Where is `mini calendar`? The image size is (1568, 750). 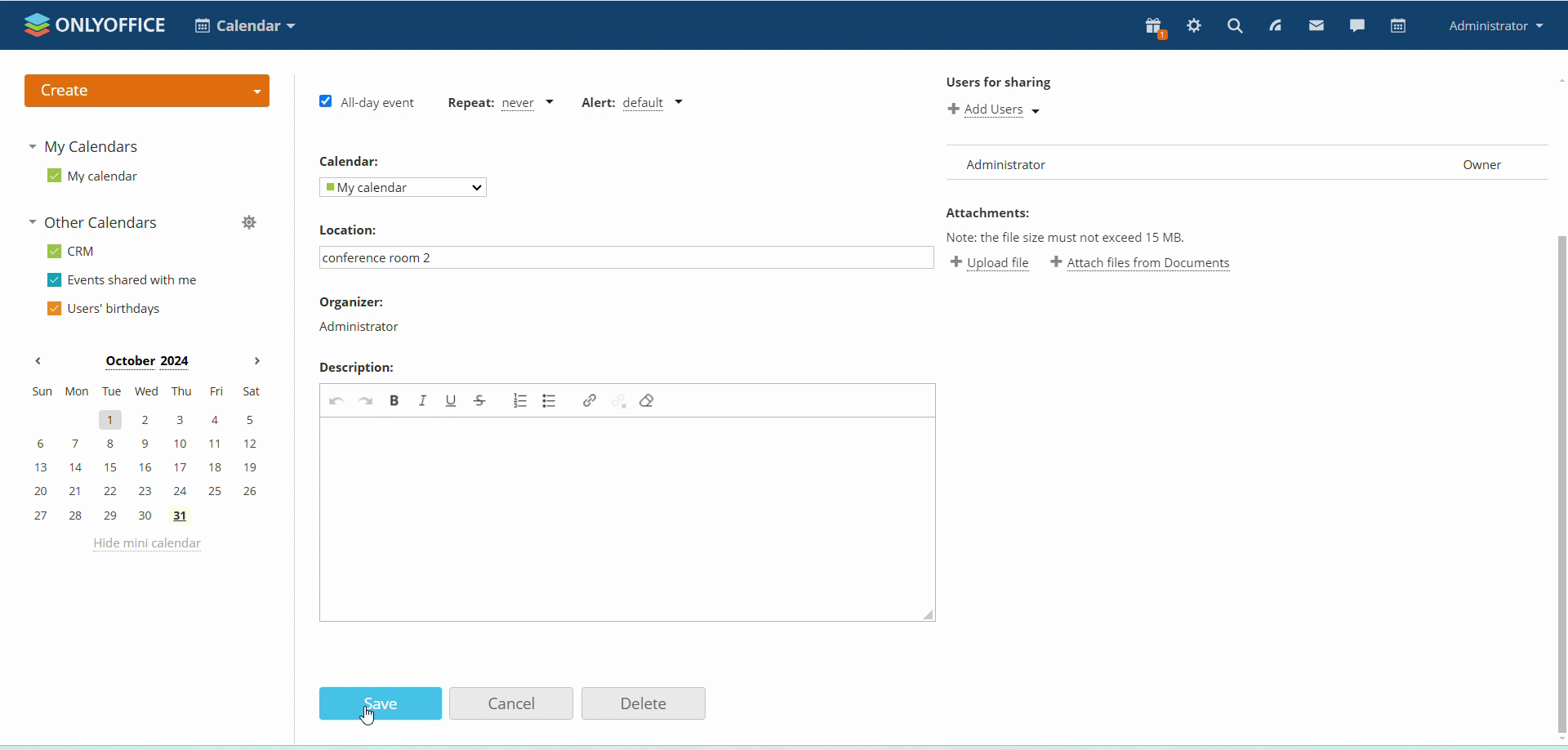
mini calendar is located at coordinates (147, 453).